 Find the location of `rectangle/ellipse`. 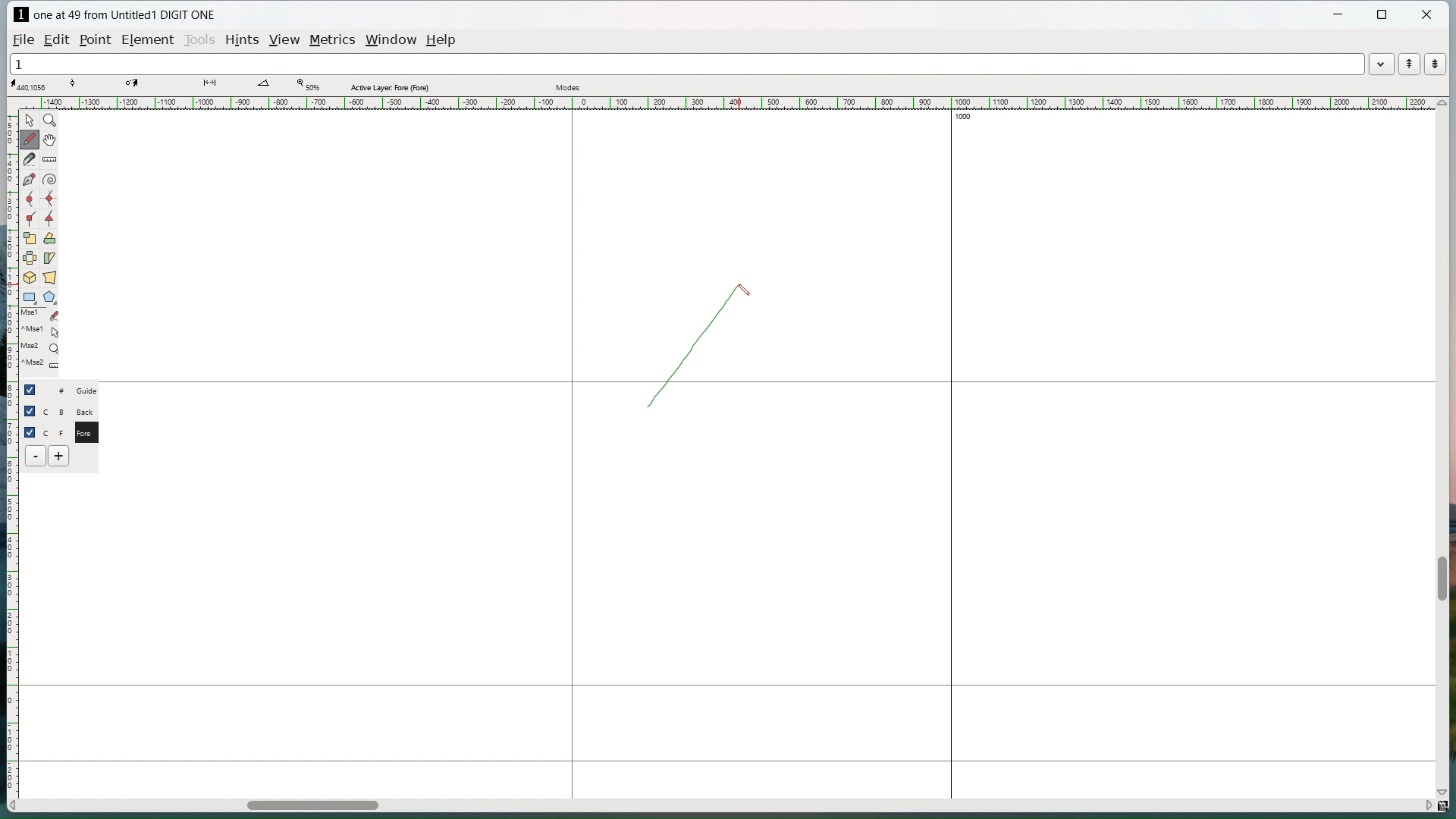

rectangle/ellipse is located at coordinates (30, 297).